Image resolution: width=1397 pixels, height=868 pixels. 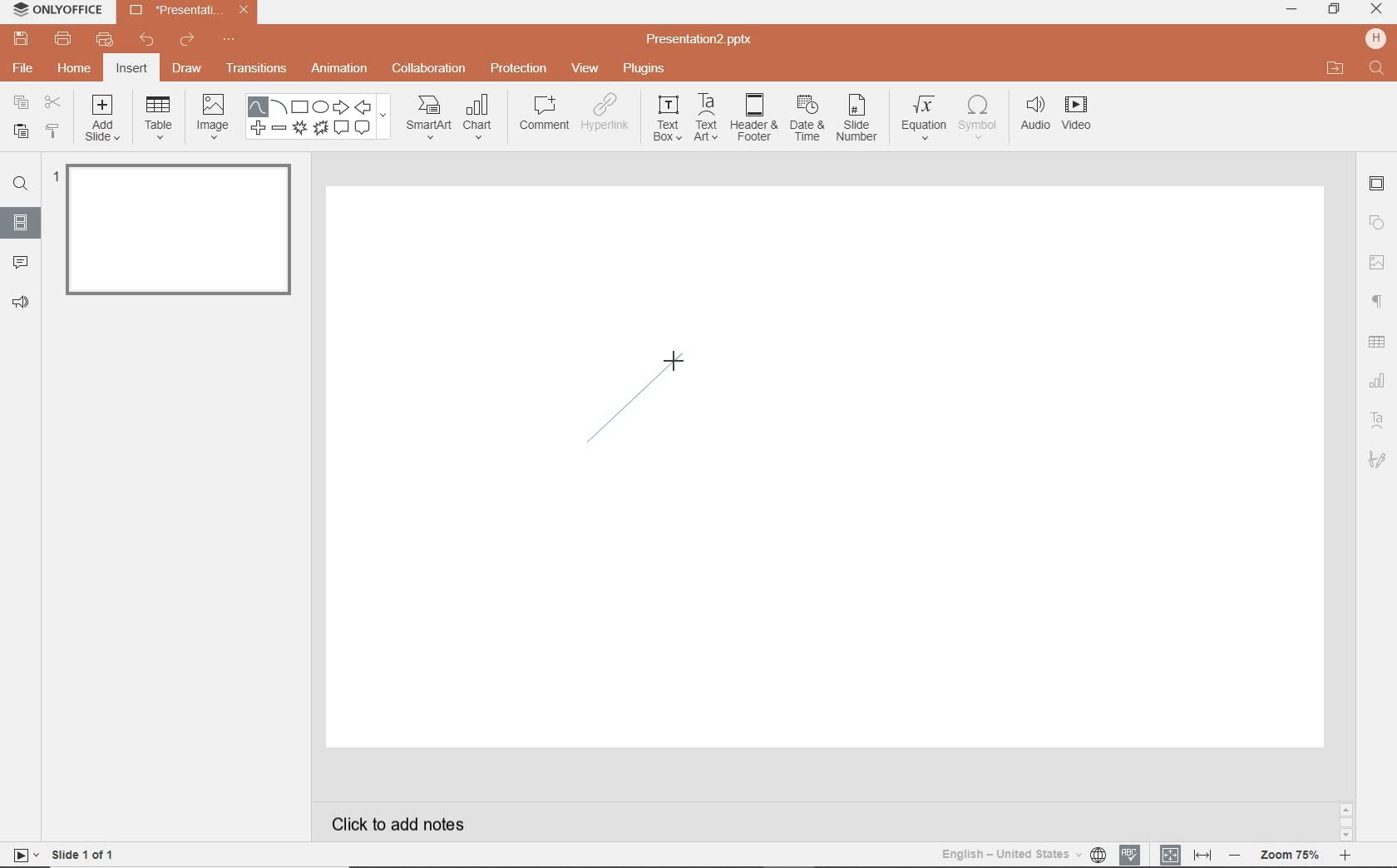 I want to click on SLIDE 1 OF 1, so click(x=67, y=854).